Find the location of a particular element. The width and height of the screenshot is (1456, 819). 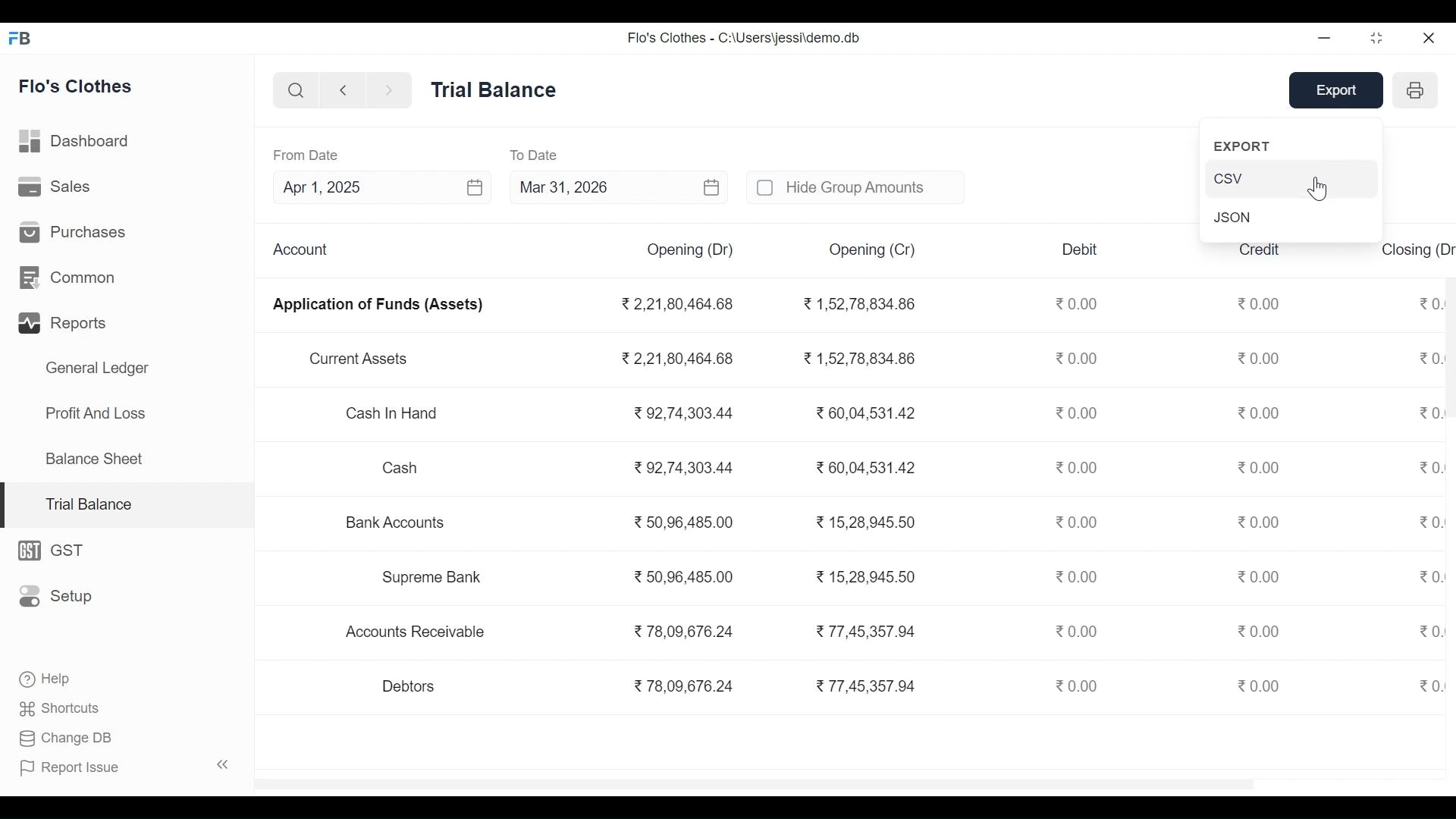

Minimize is located at coordinates (1326, 38).